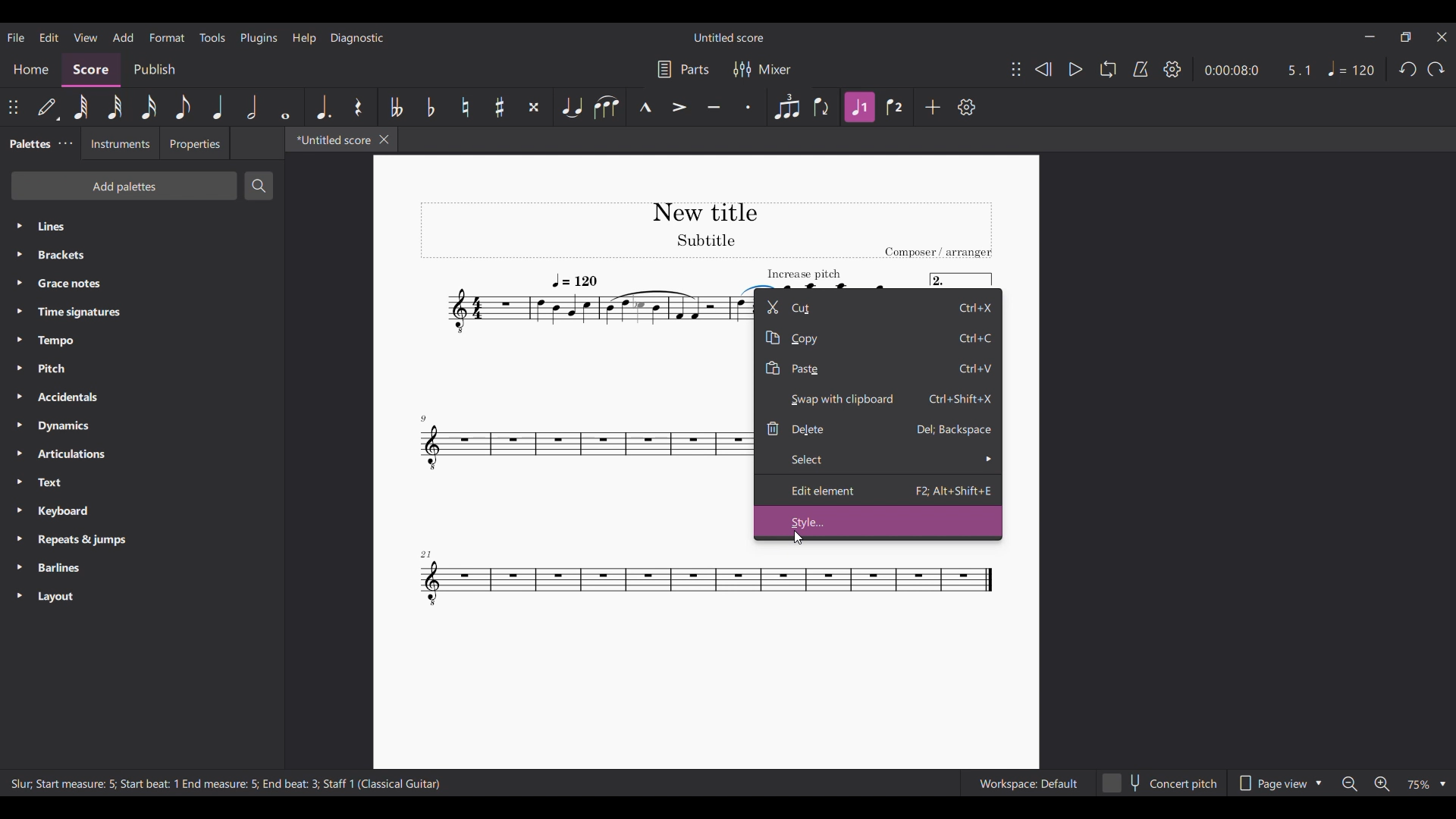 This screenshot has height=819, width=1456. What do you see at coordinates (384, 140) in the screenshot?
I see `Close tab` at bounding box center [384, 140].